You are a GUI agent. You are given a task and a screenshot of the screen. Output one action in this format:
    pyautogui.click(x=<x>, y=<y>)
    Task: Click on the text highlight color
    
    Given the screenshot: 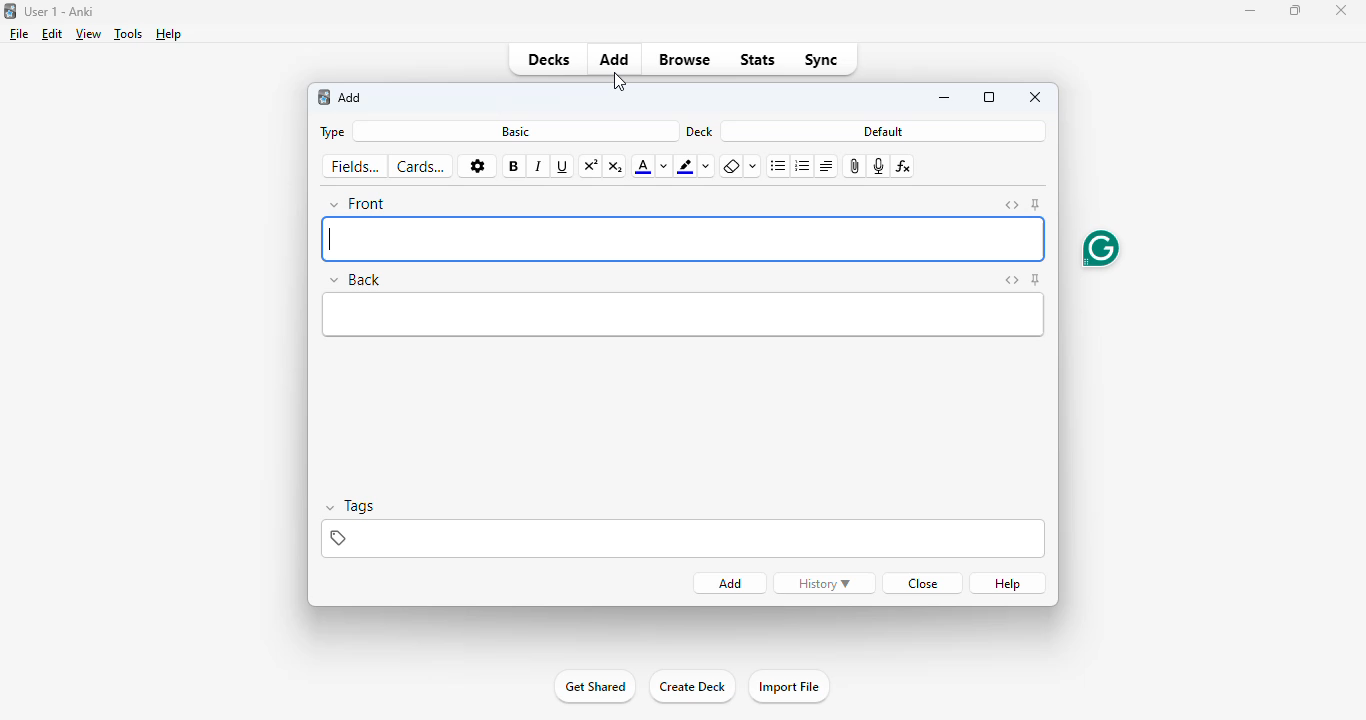 What is the action you would take?
    pyautogui.click(x=686, y=166)
    